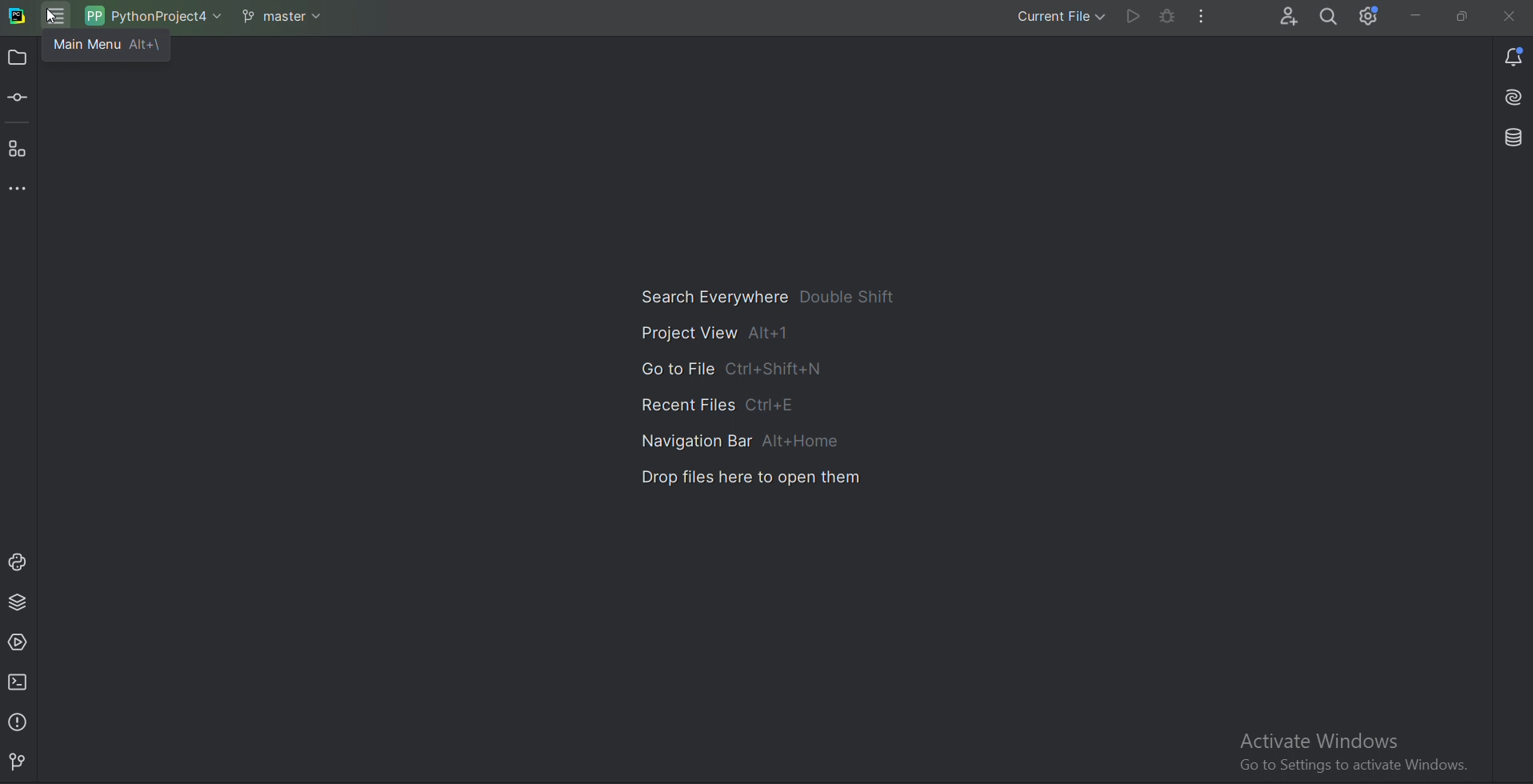 This screenshot has height=784, width=1533. I want to click on Project, so click(17, 59).